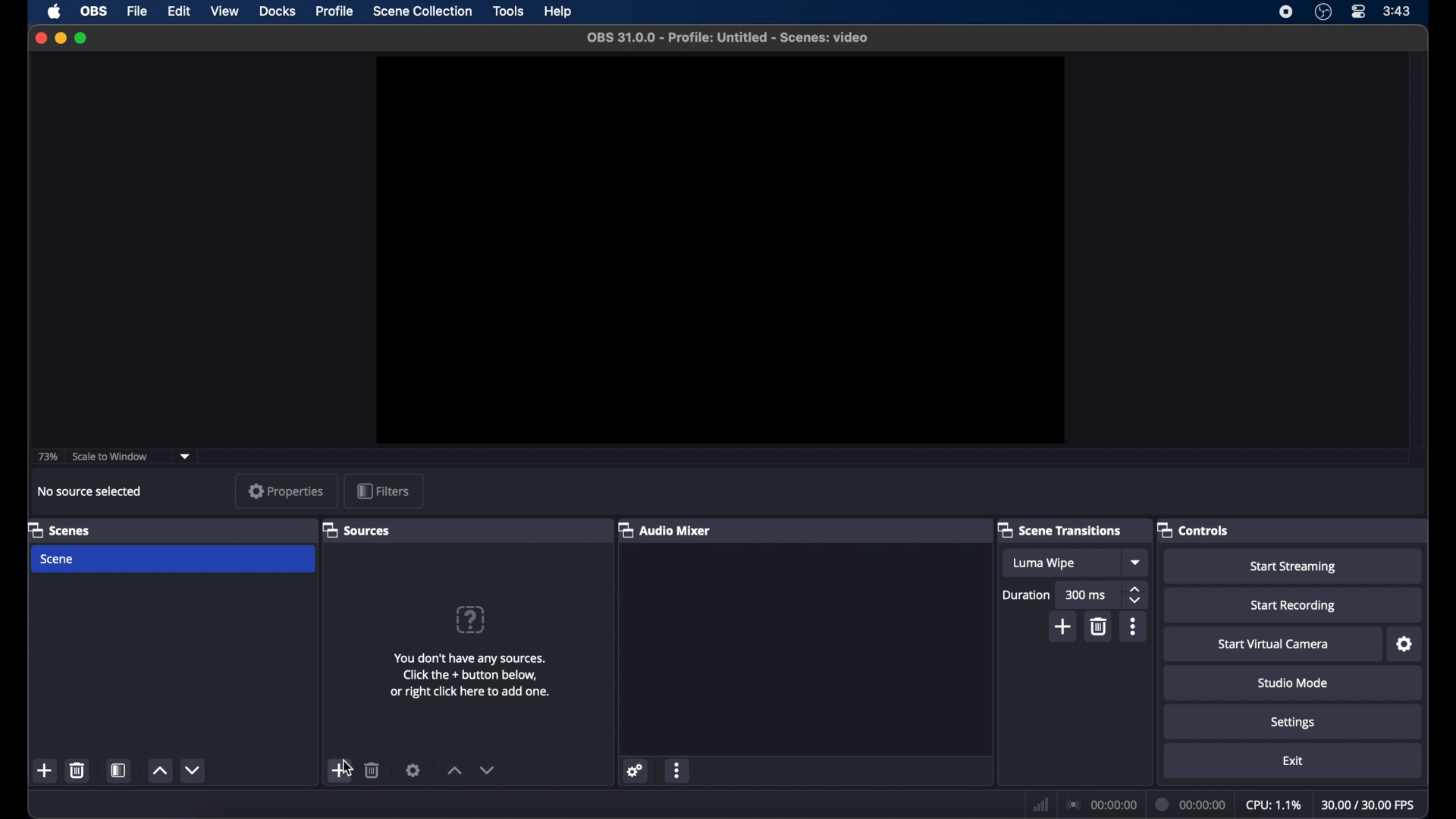 This screenshot has width=1456, height=819. I want to click on no source selected, so click(90, 492).